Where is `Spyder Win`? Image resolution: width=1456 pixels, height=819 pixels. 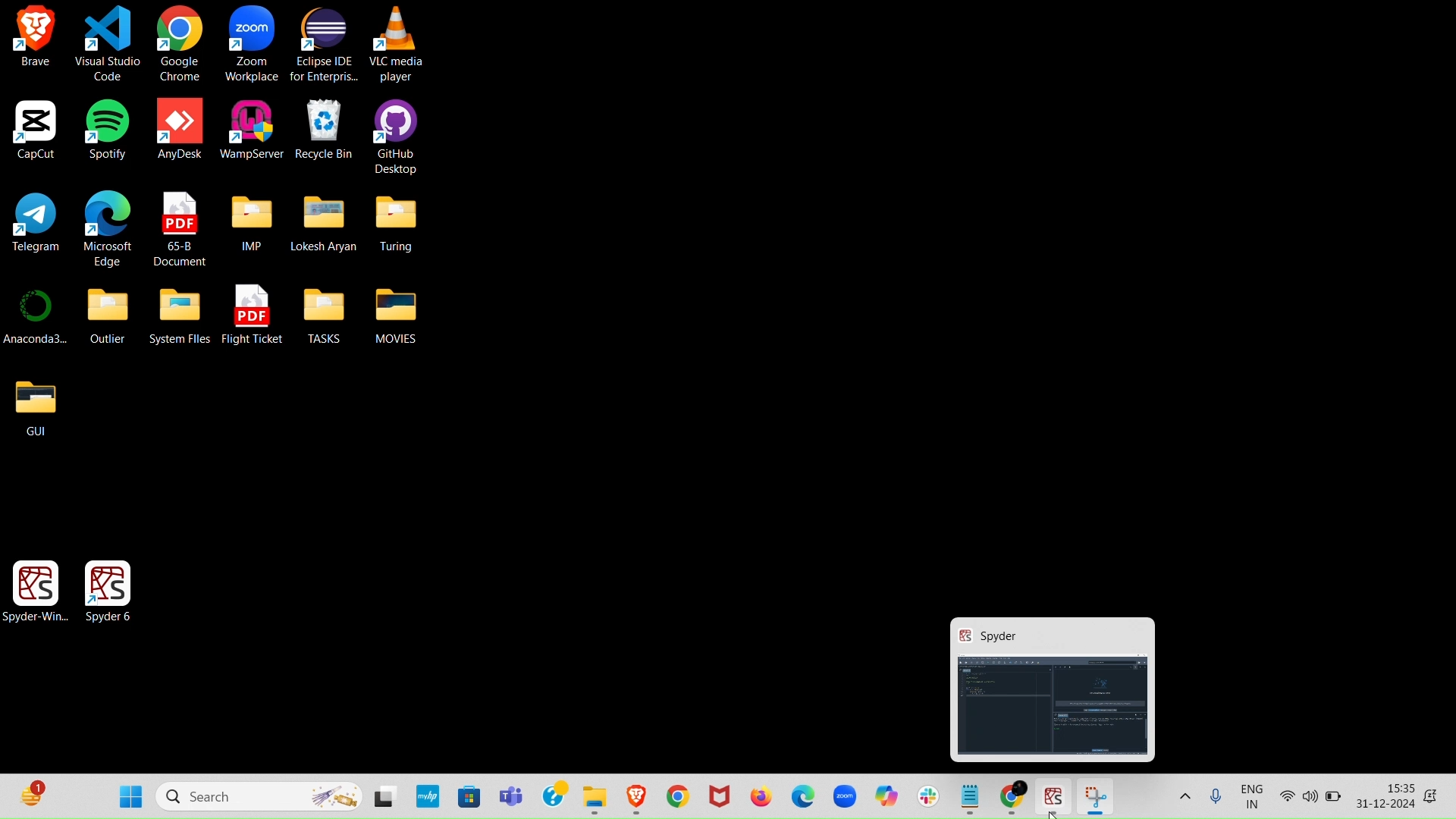 Spyder Win is located at coordinates (39, 585).